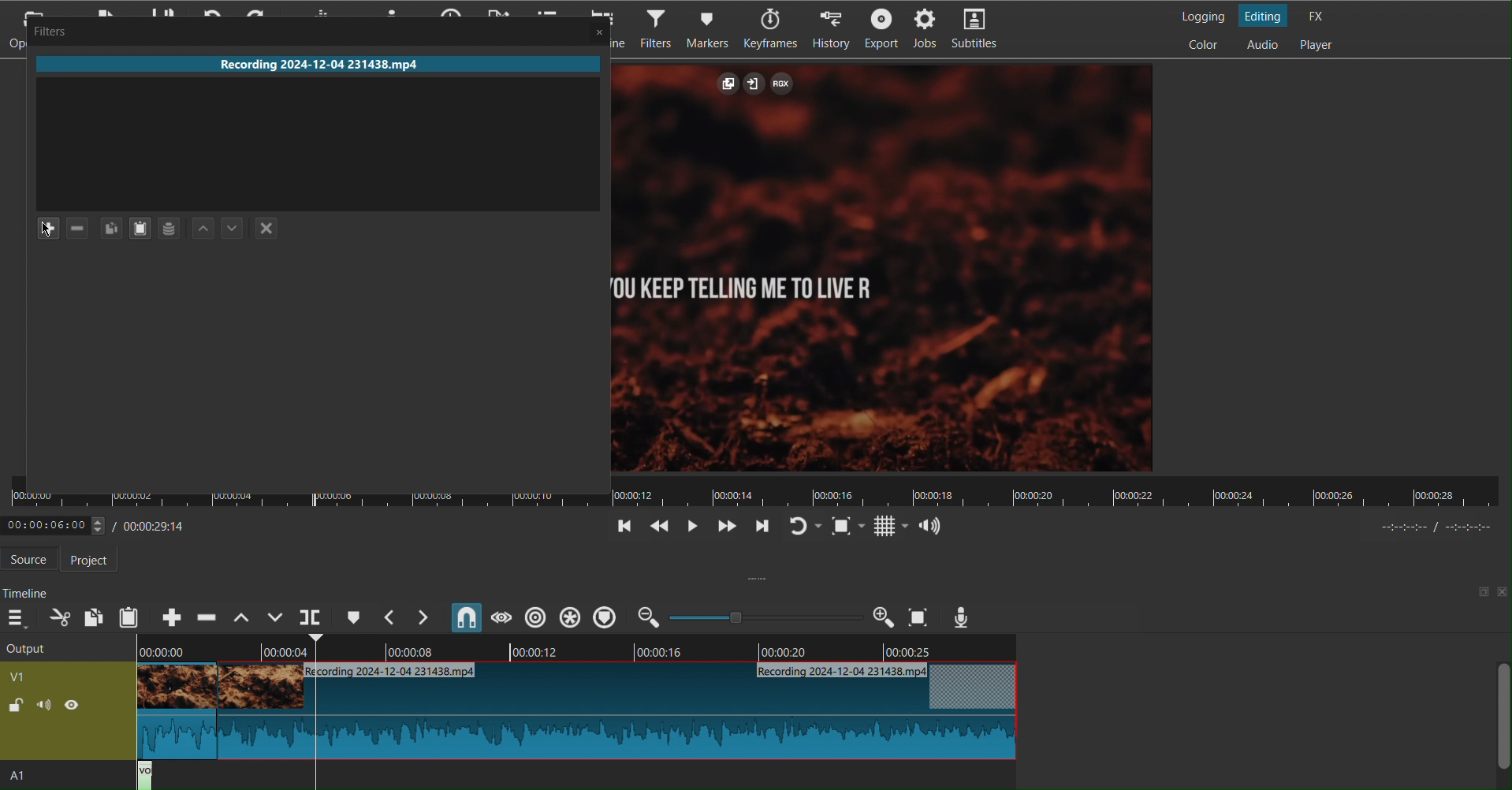 Image resolution: width=1512 pixels, height=790 pixels. What do you see at coordinates (765, 617) in the screenshot?
I see `Zoom` at bounding box center [765, 617].